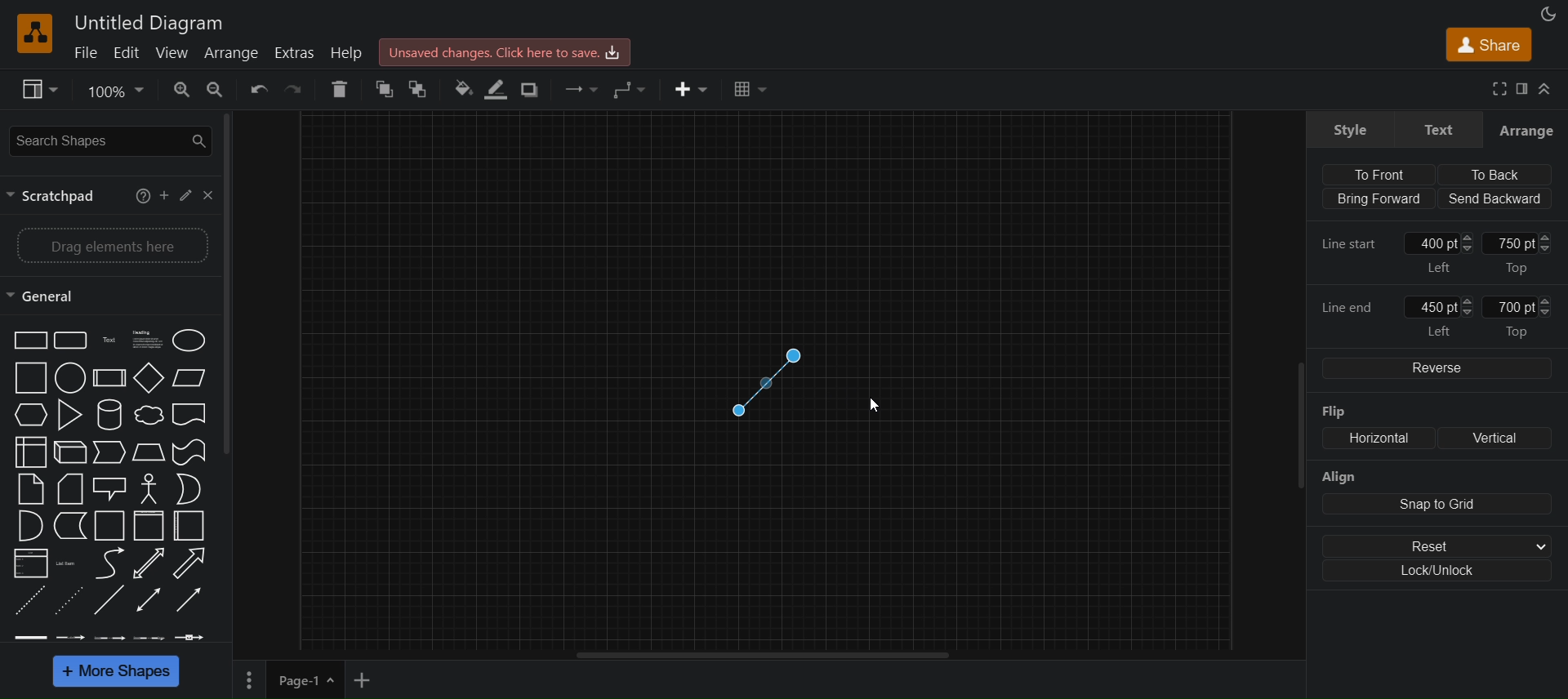 The image size is (1568, 699). What do you see at coordinates (768, 376) in the screenshot?
I see `connector line shape` at bounding box center [768, 376].